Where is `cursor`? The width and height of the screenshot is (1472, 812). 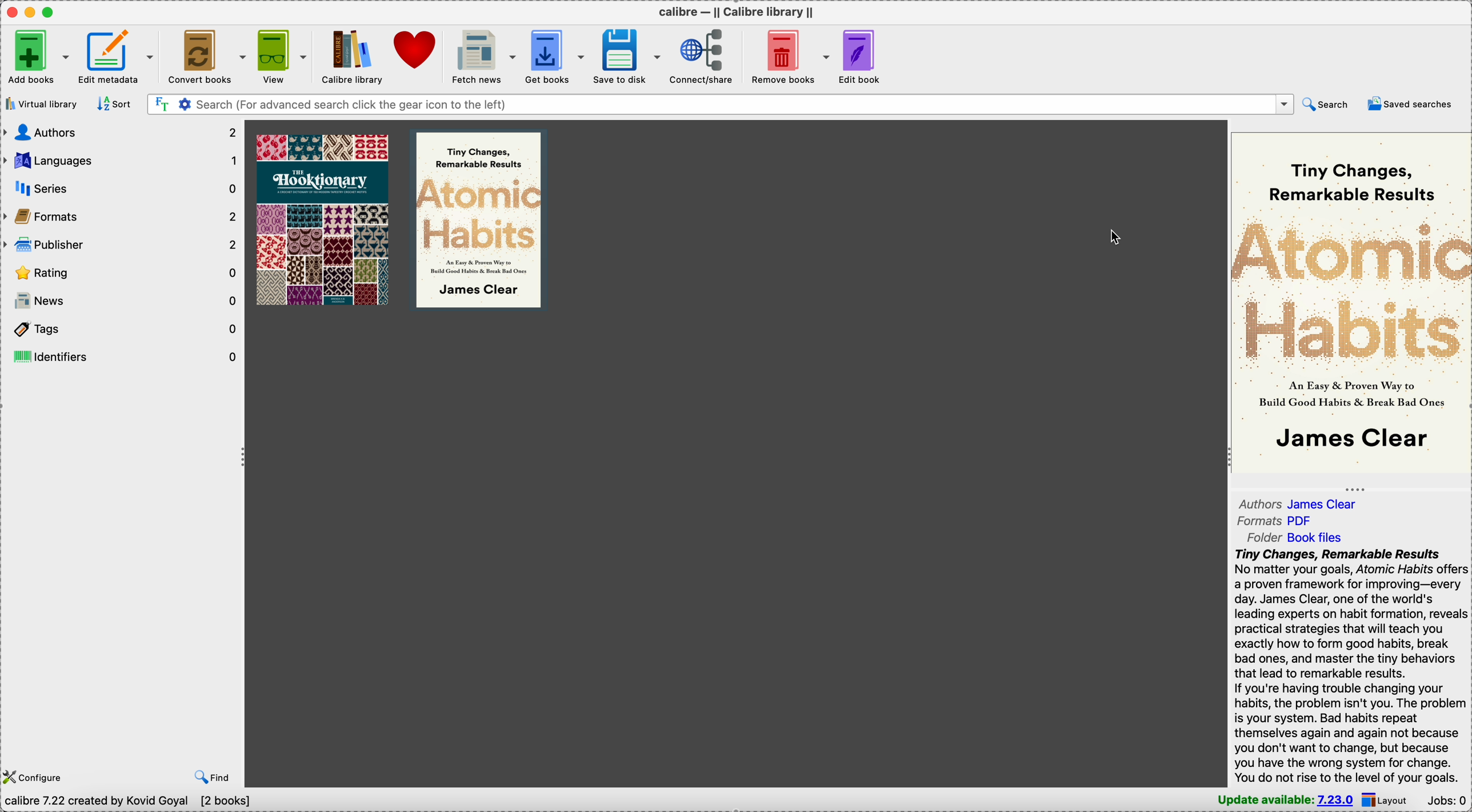
cursor is located at coordinates (1116, 236).